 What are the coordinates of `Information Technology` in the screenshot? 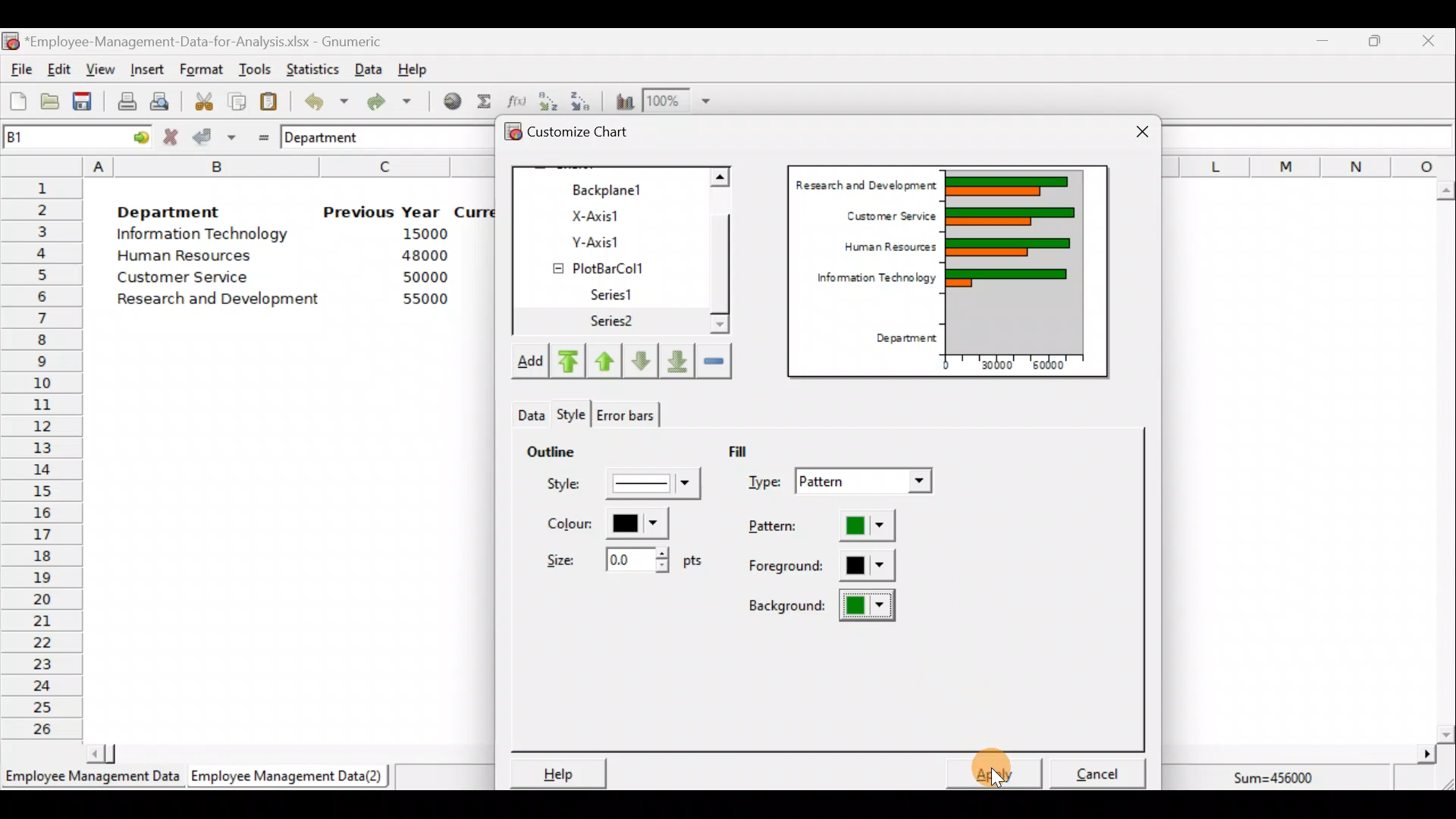 It's located at (869, 281).